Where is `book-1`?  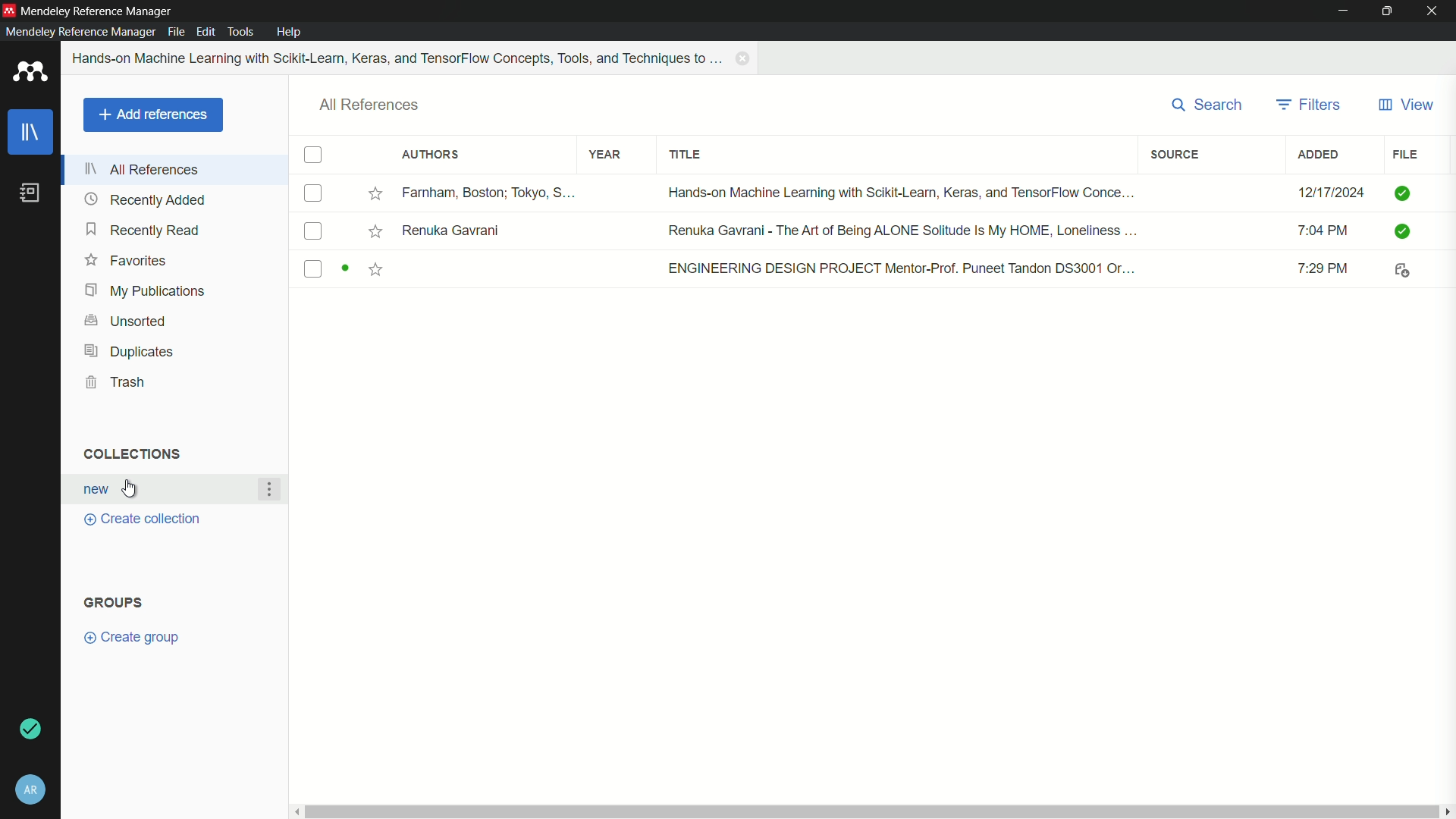 book-1 is located at coordinates (865, 190).